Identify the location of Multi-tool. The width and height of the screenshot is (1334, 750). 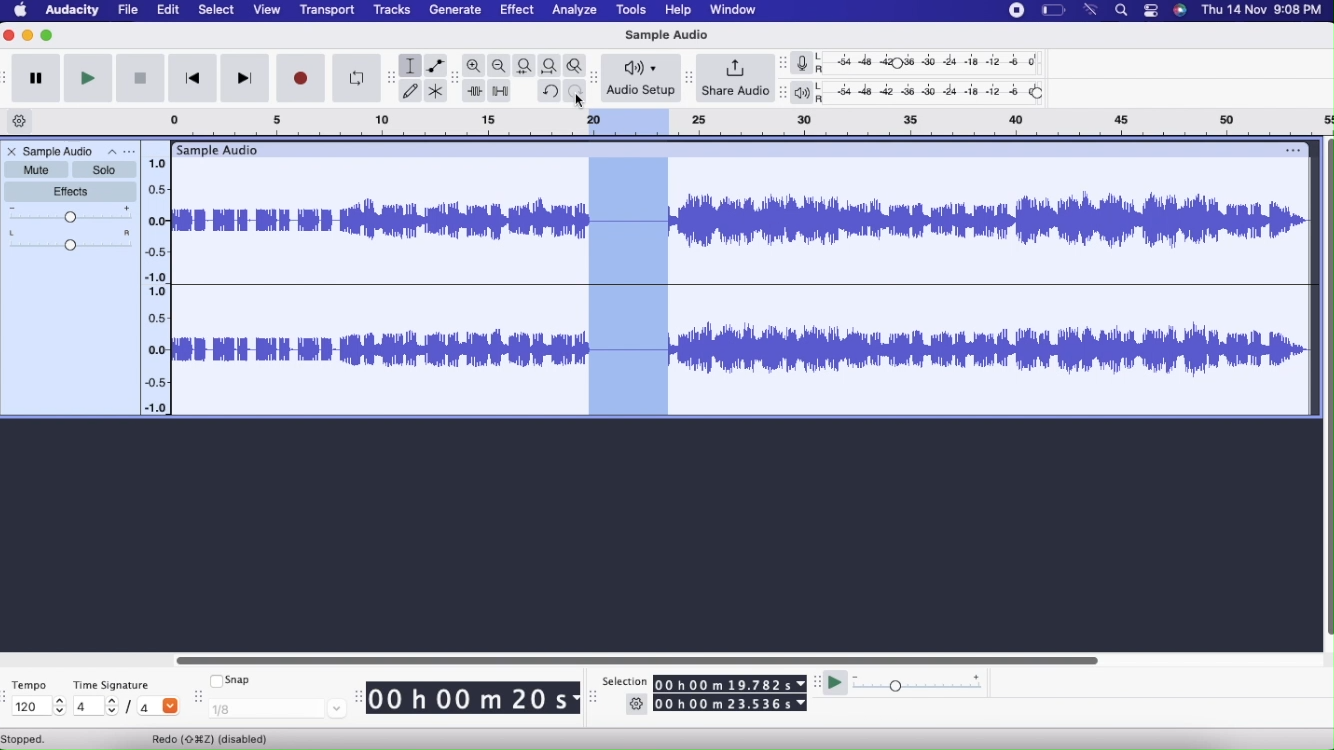
(438, 90).